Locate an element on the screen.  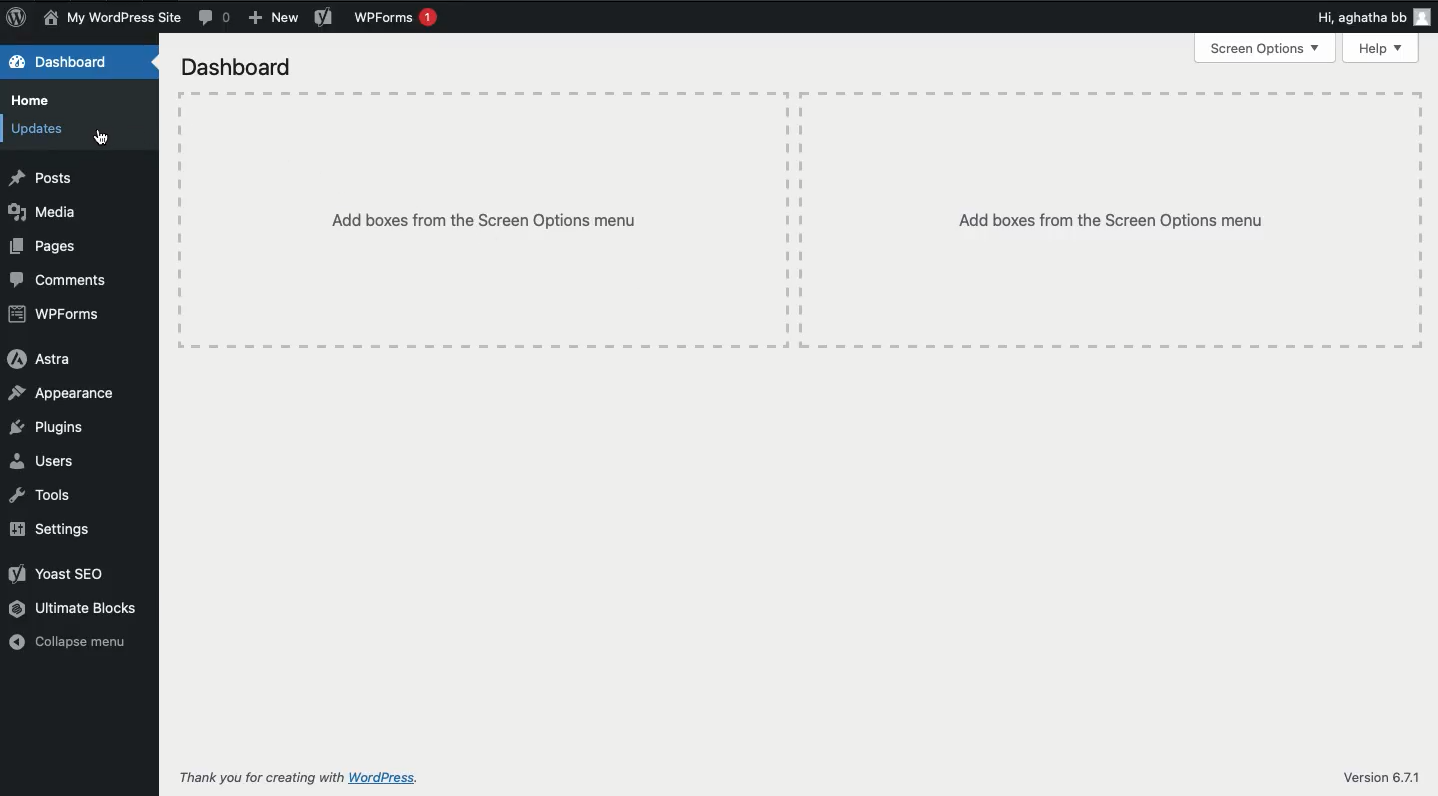
Settings is located at coordinates (52, 532).